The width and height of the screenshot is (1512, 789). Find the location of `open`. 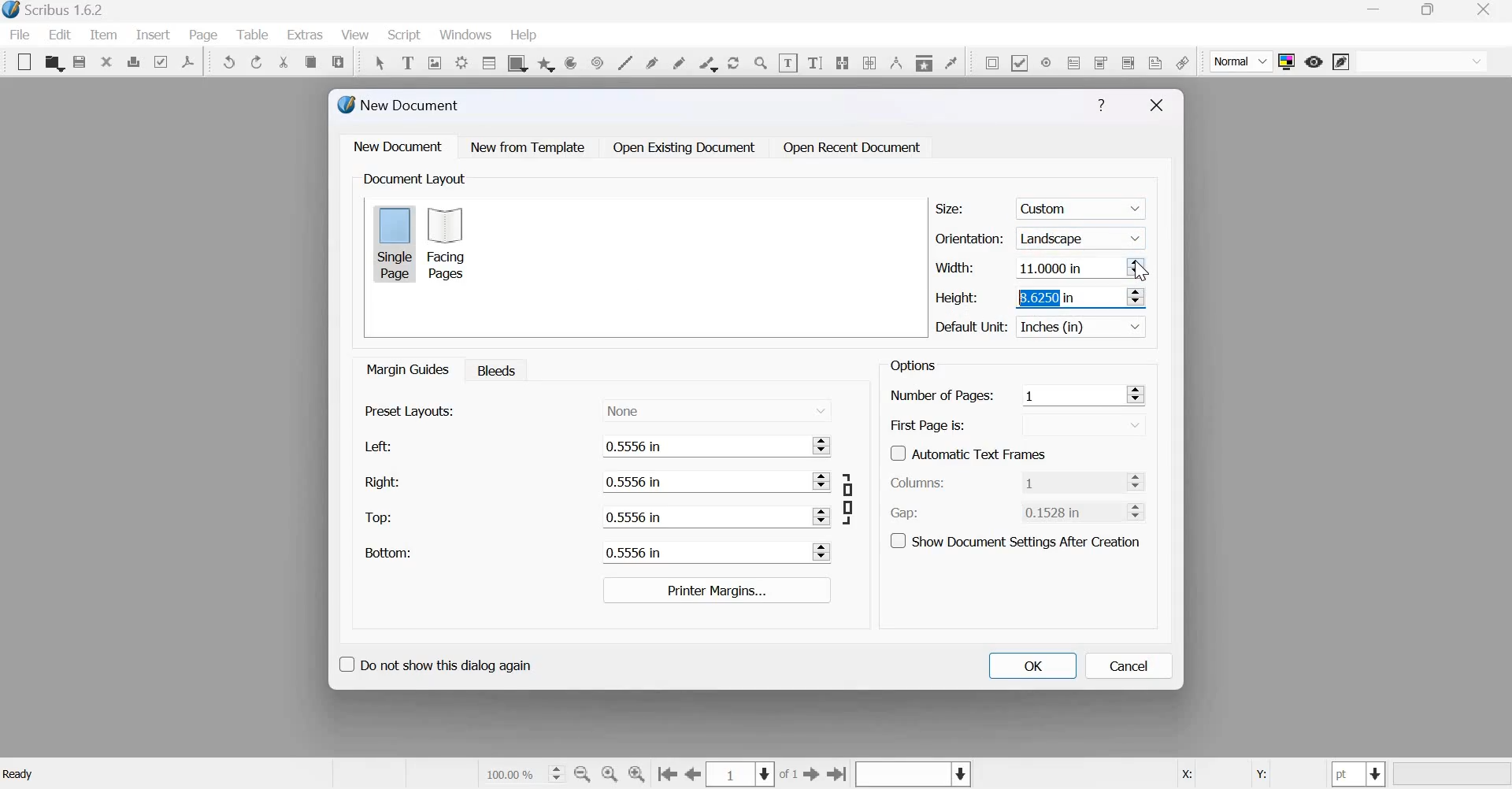

open is located at coordinates (54, 63).